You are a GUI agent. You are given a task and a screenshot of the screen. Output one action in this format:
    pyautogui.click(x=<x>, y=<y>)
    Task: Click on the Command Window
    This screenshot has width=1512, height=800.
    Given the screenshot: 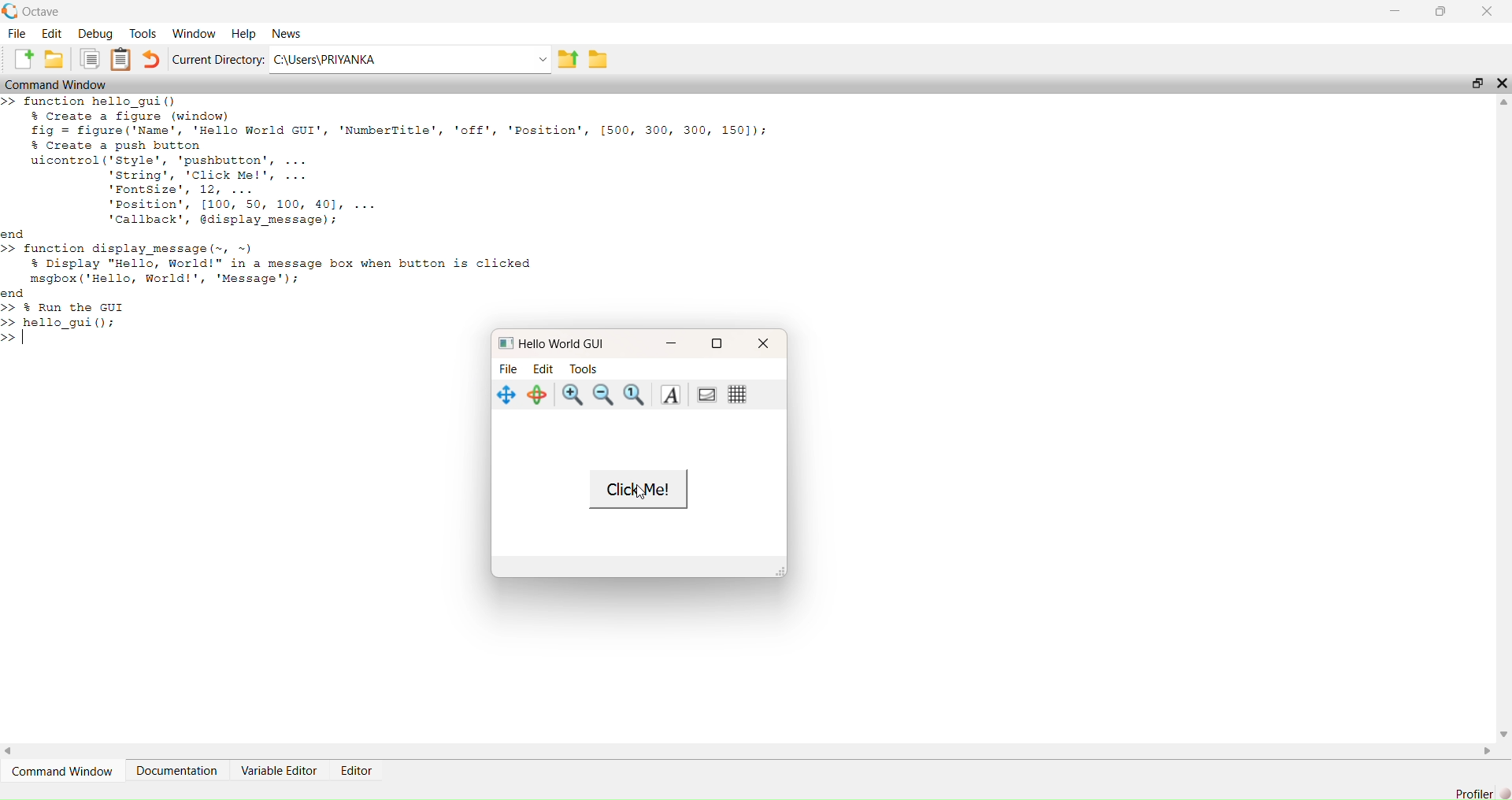 What is the action you would take?
    pyautogui.click(x=66, y=772)
    